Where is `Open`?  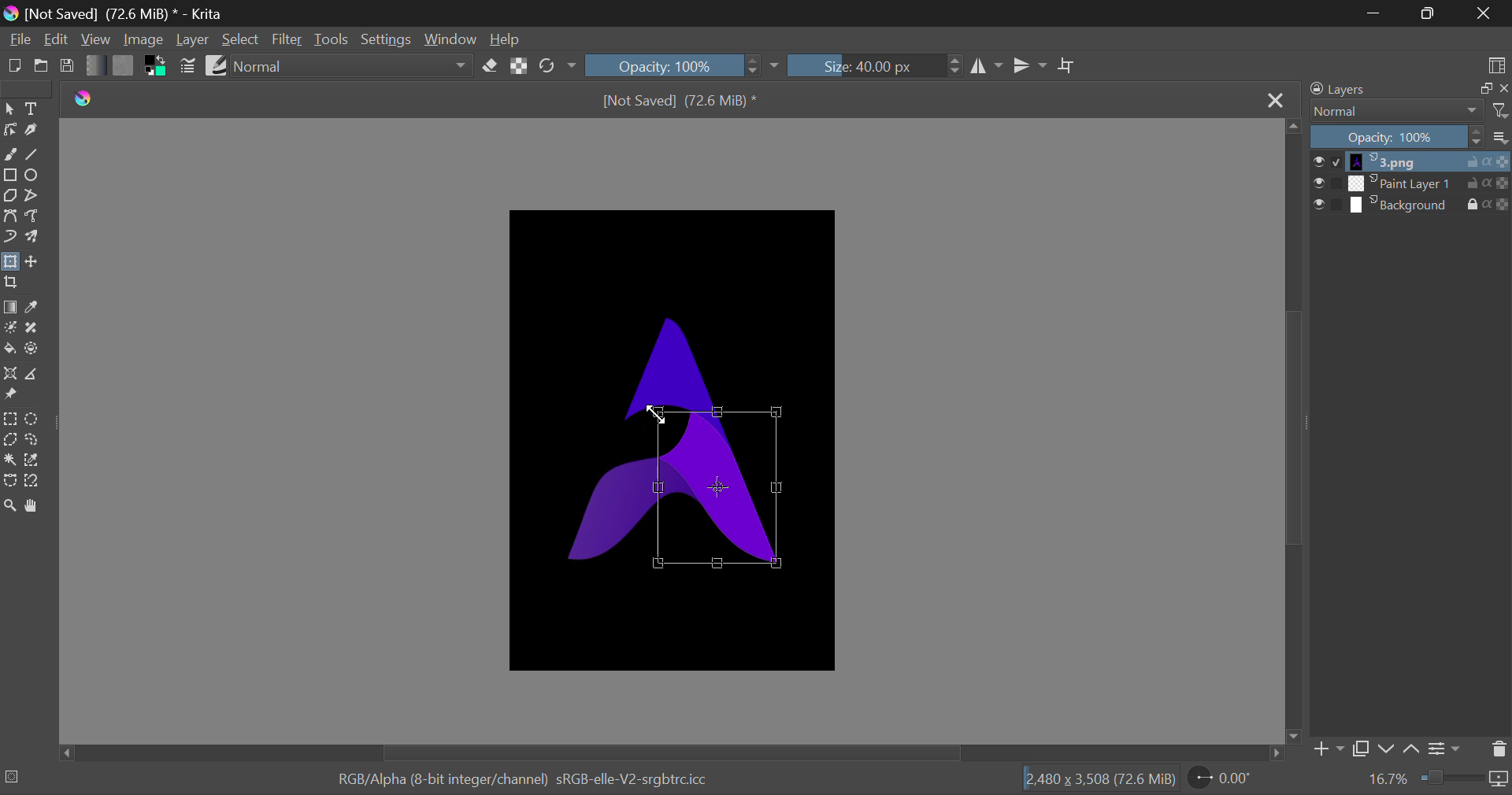
Open is located at coordinates (41, 66).